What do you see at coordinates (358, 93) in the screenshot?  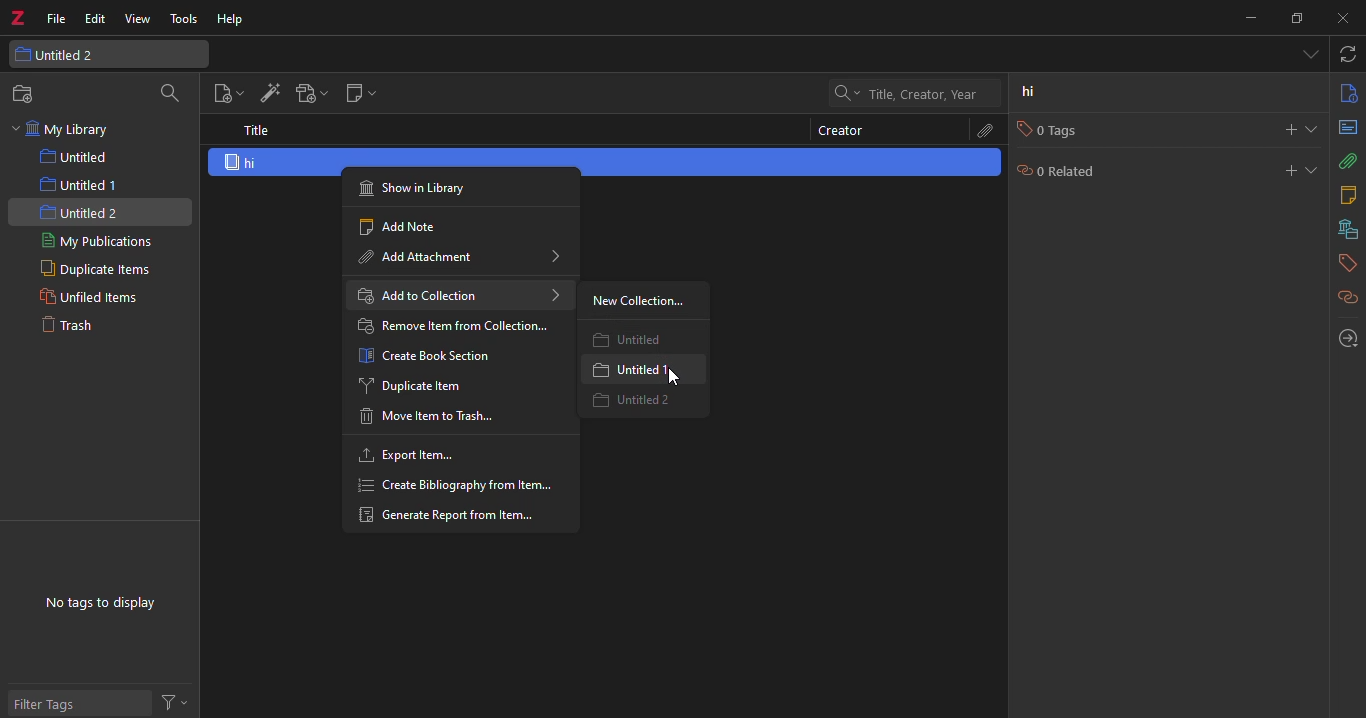 I see `new note` at bounding box center [358, 93].